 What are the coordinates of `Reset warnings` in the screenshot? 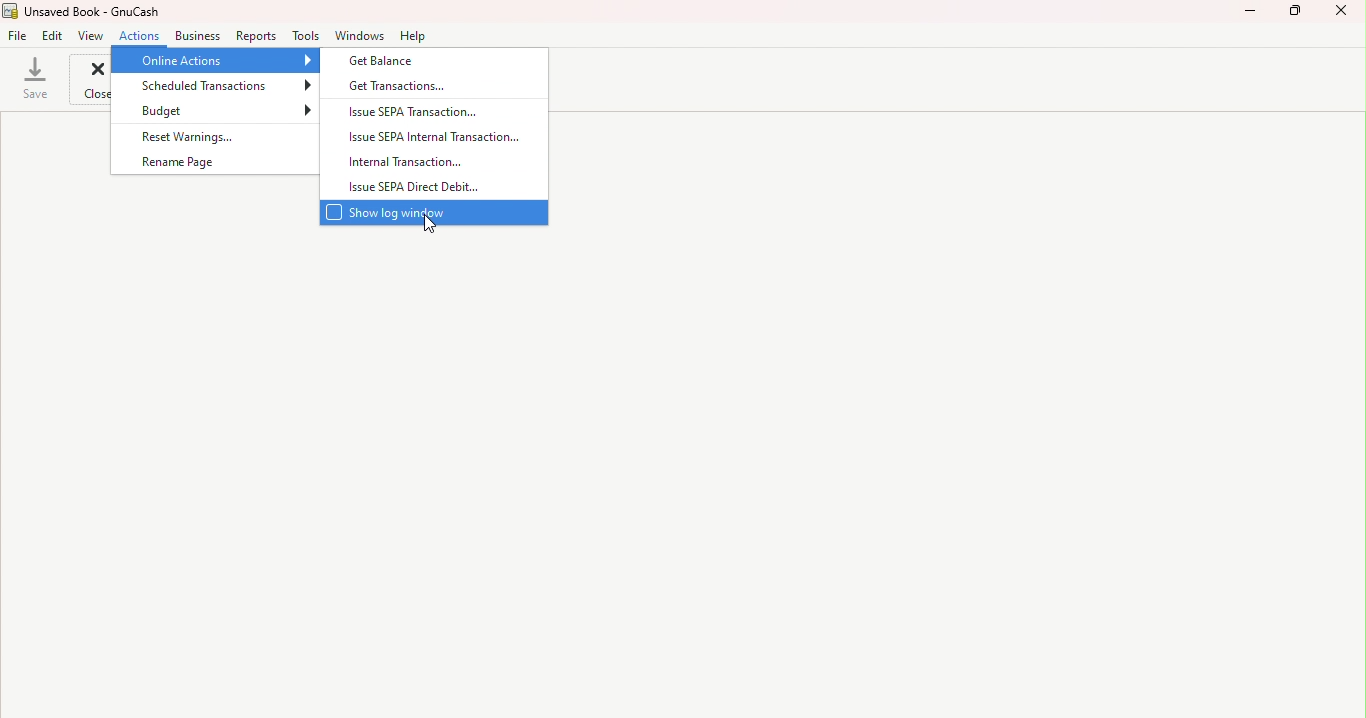 It's located at (202, 136).